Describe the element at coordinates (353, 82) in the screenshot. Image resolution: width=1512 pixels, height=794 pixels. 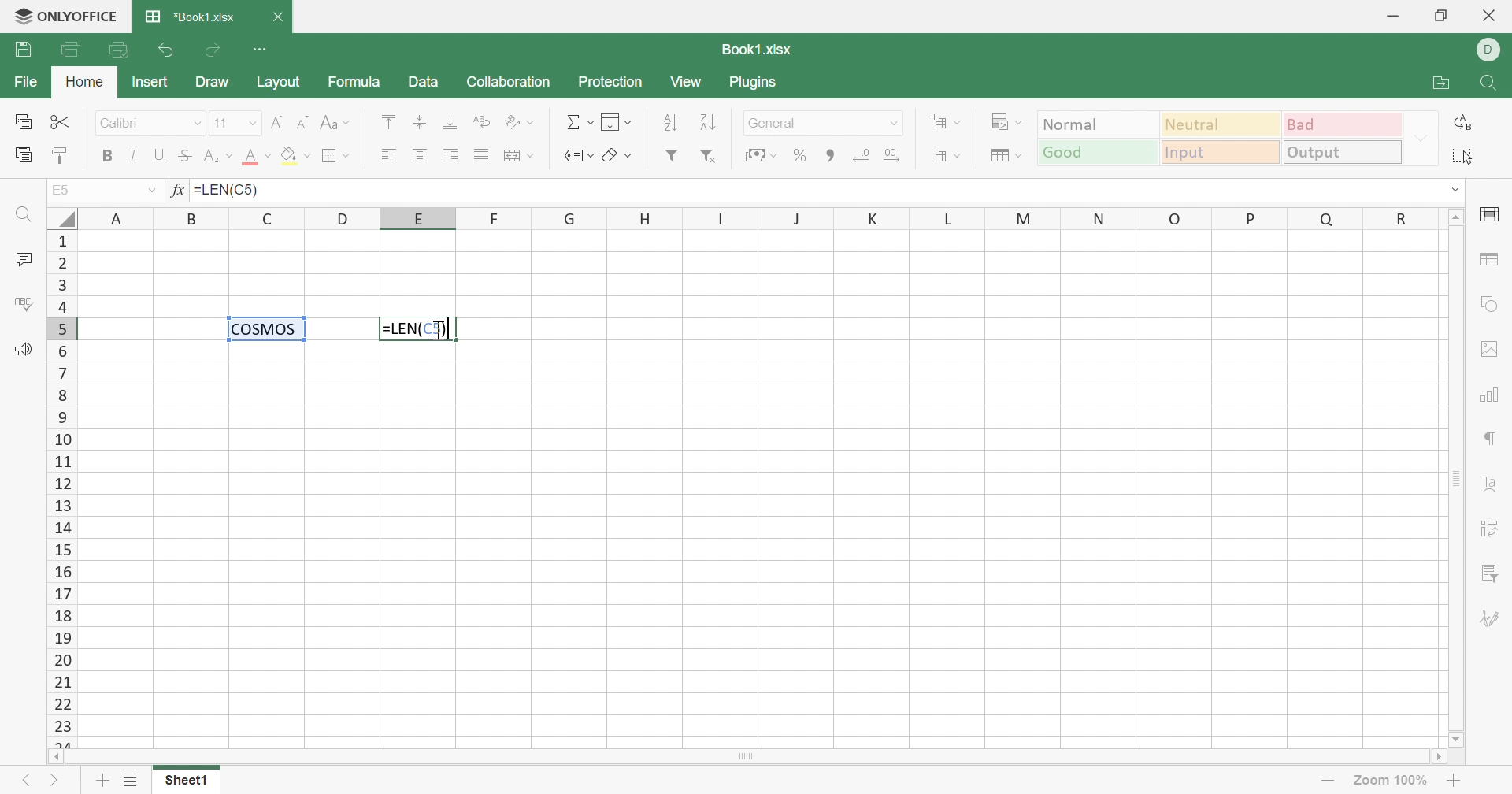
I see `Formula` at that location.